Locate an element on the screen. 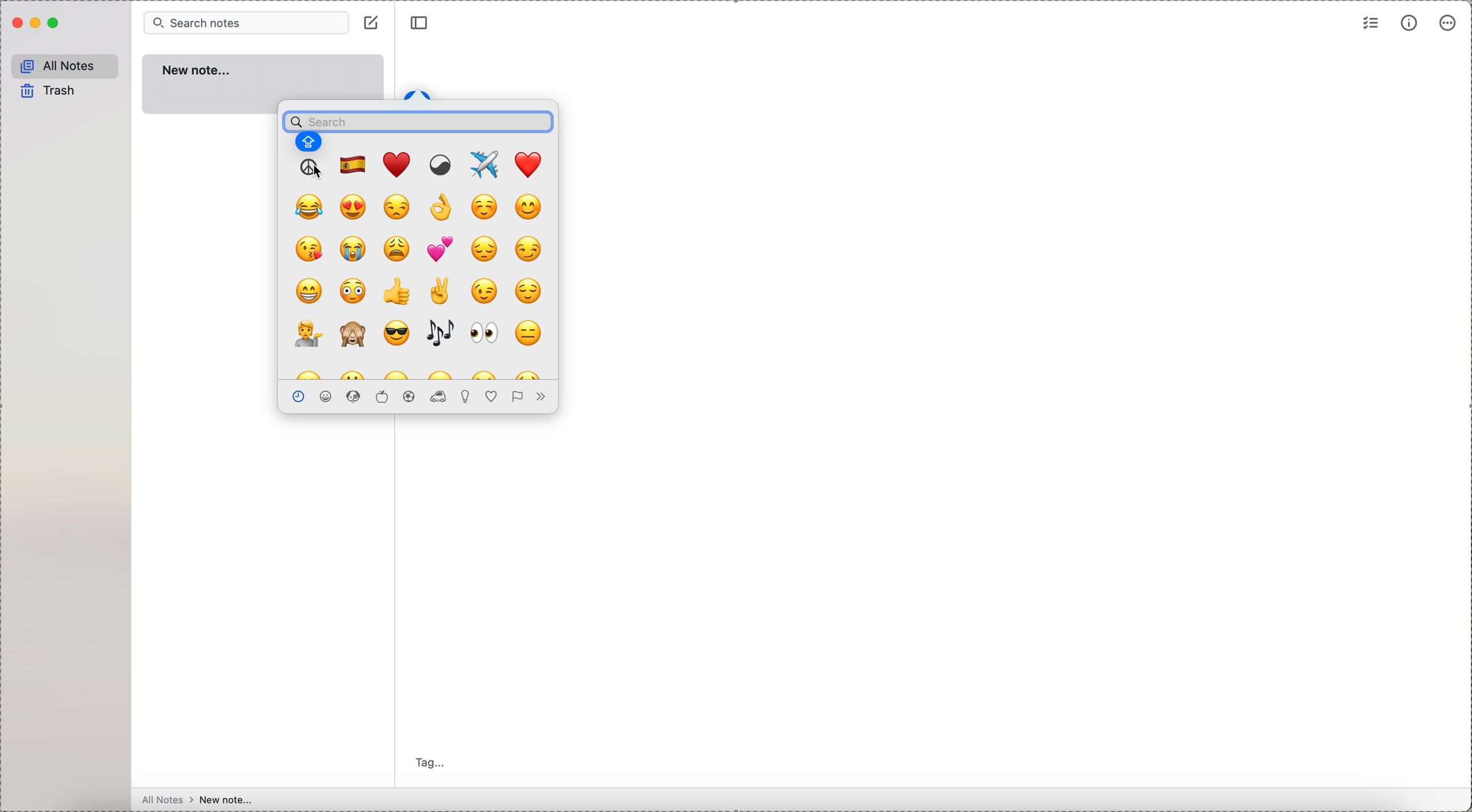 This screenshot has height=812, width=1472. emoji is located at coordinates (311, 207).